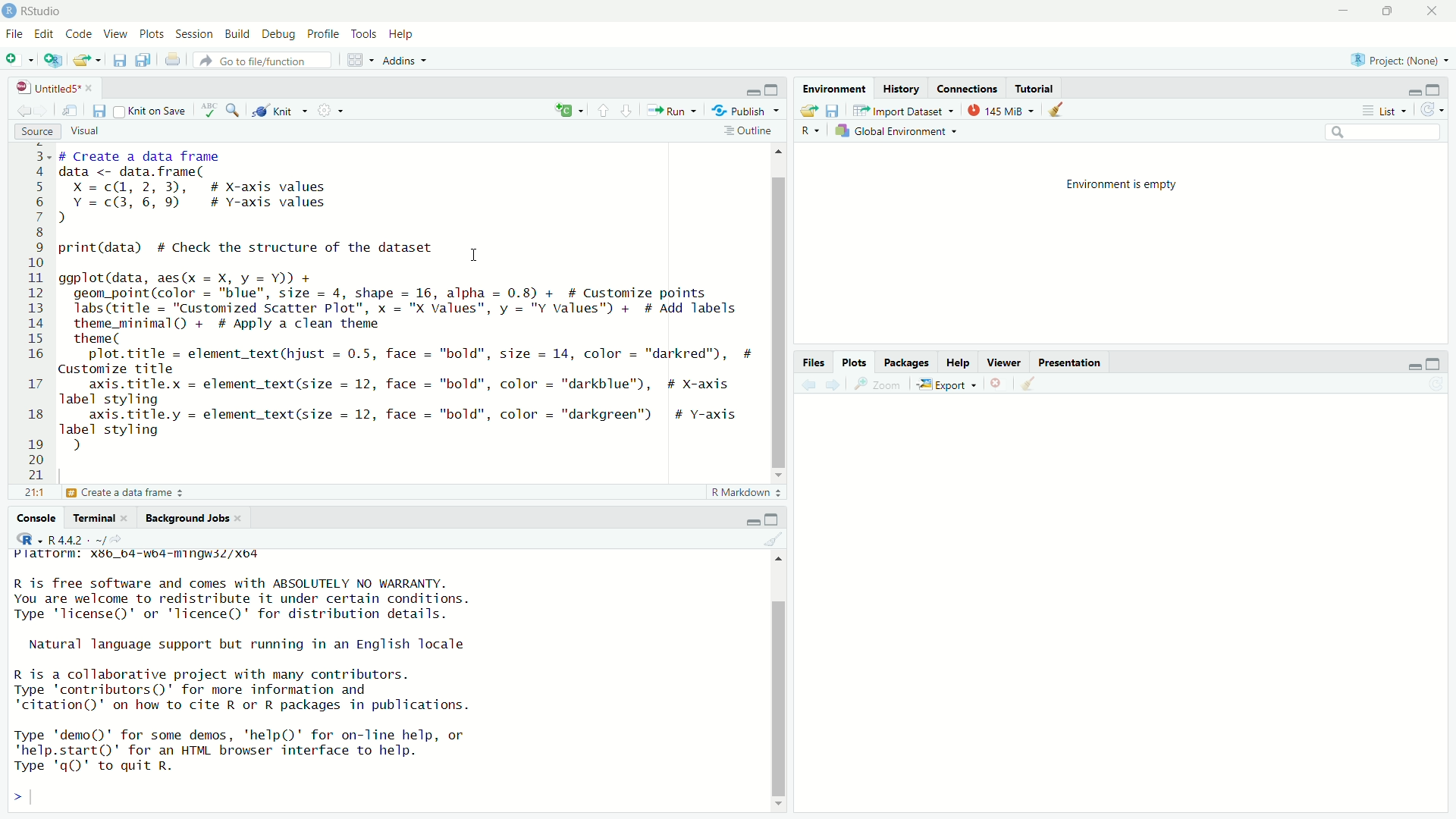 The height and width of the screenshot is (819, 1456). What do you see at coordinates (746, 111) in the screenshot?
I see `Publish` at bounding box center [746, 111].